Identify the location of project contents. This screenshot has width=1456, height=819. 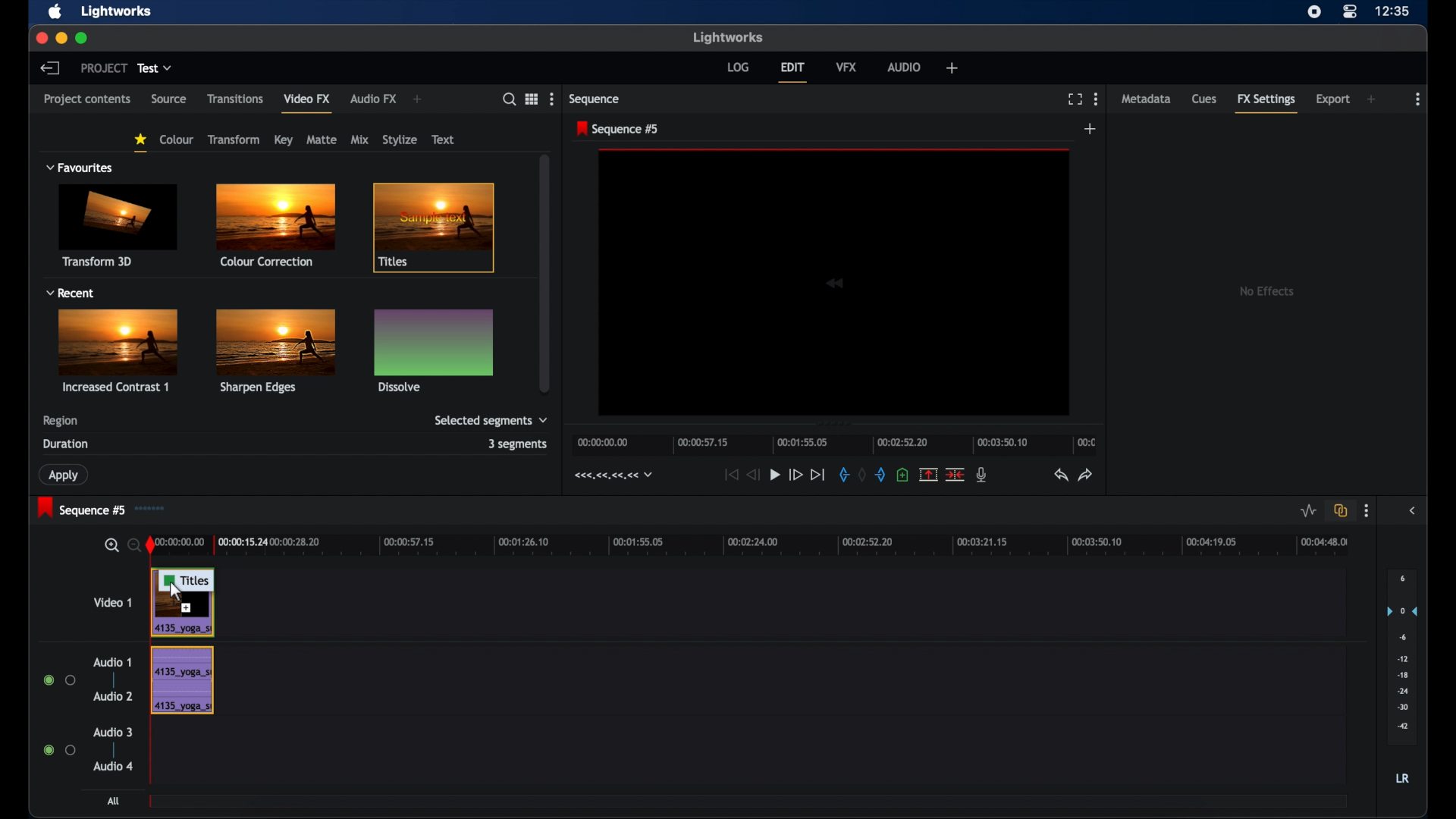
(87, 103).